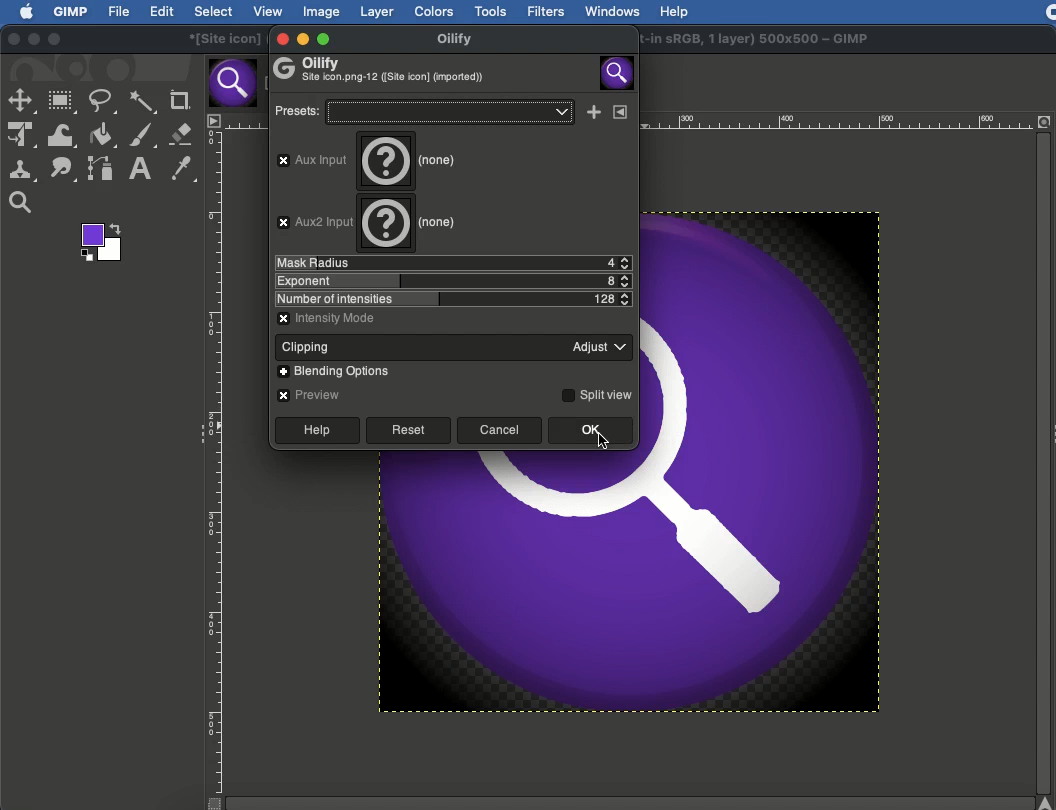 This screenshot has width=1056, height=810. Describe the element at coordinates (71, 12) in the screenshot. I see `GIMP` at that location.